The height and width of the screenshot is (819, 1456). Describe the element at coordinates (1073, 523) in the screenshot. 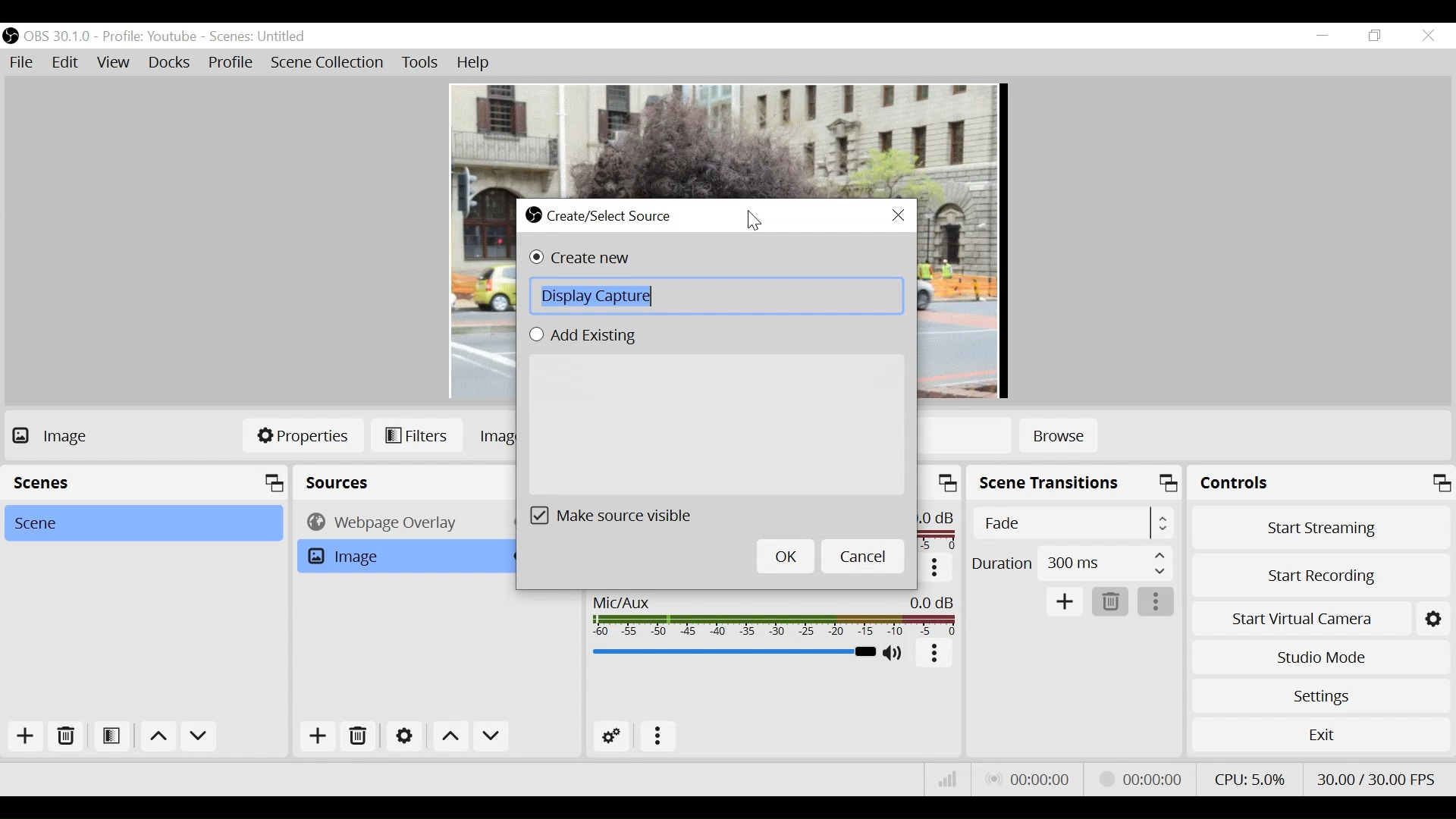

I see `Select Scene Transistion` at that location.